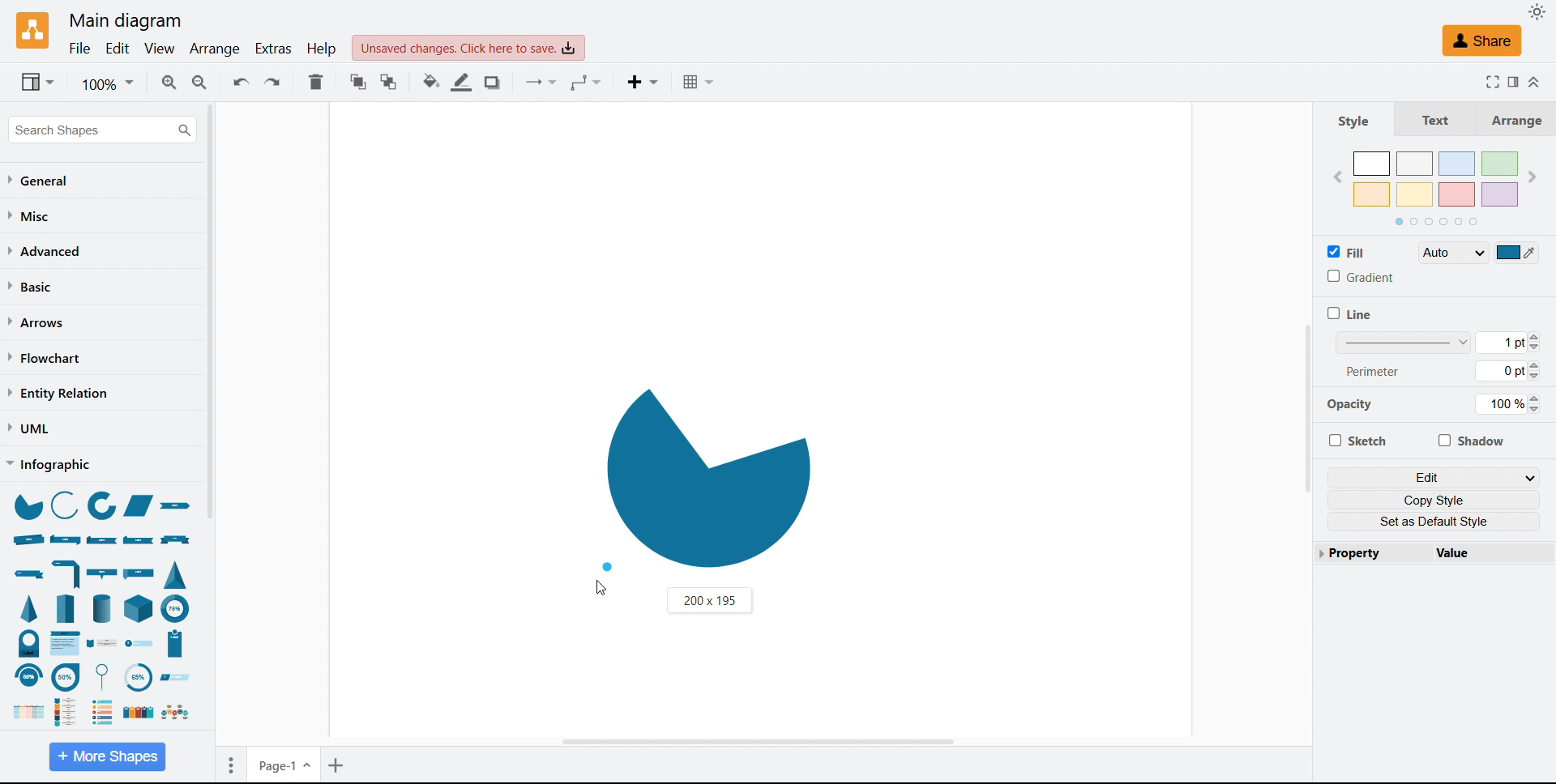  Describe the element at coordinates (81, 49) in the screenshot. I see `File ` at that location.